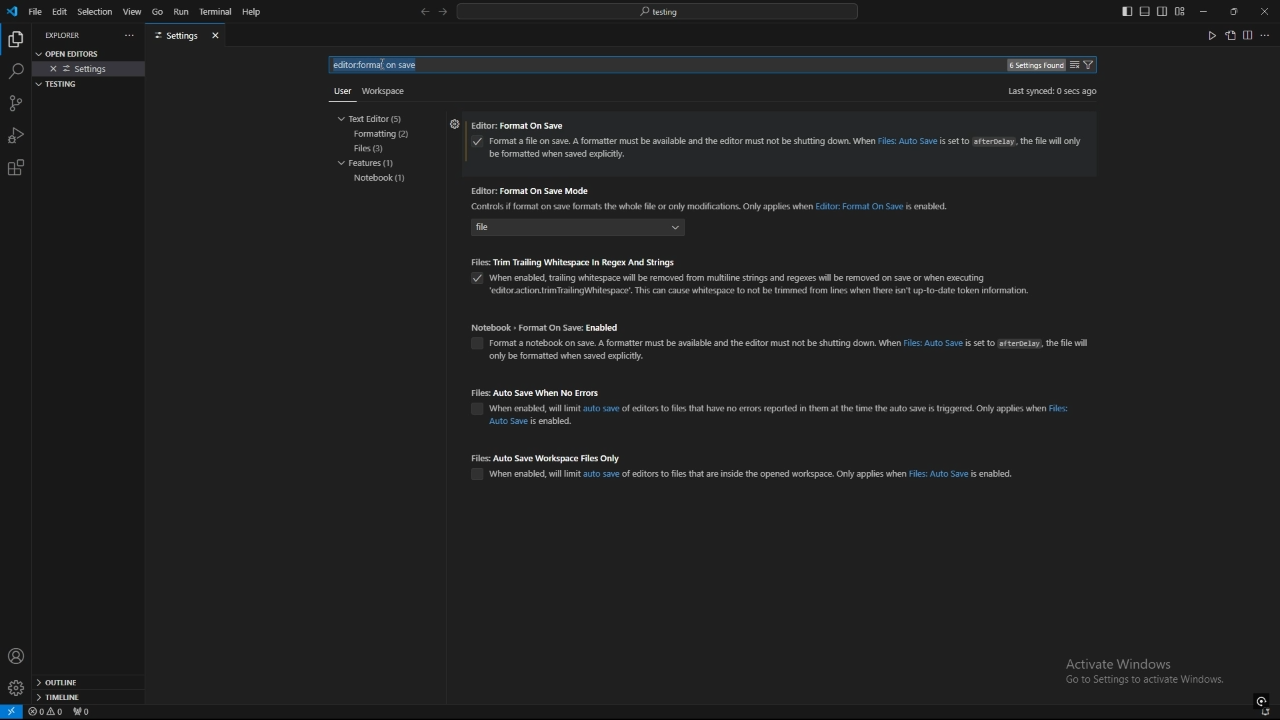  I want to click on GO LIVE, so click(1262, 700).